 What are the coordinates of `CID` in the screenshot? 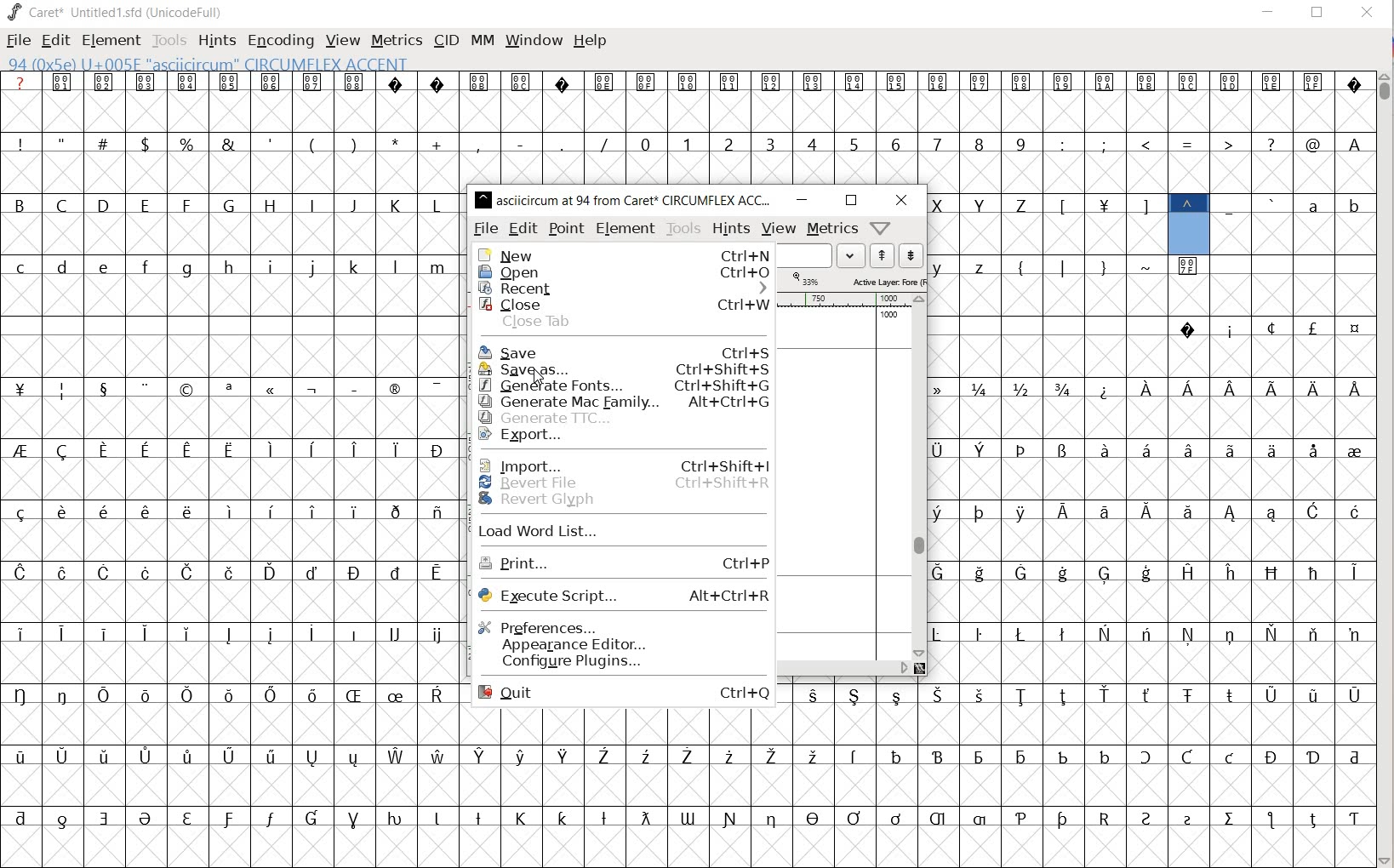 It's located at (445, 40).